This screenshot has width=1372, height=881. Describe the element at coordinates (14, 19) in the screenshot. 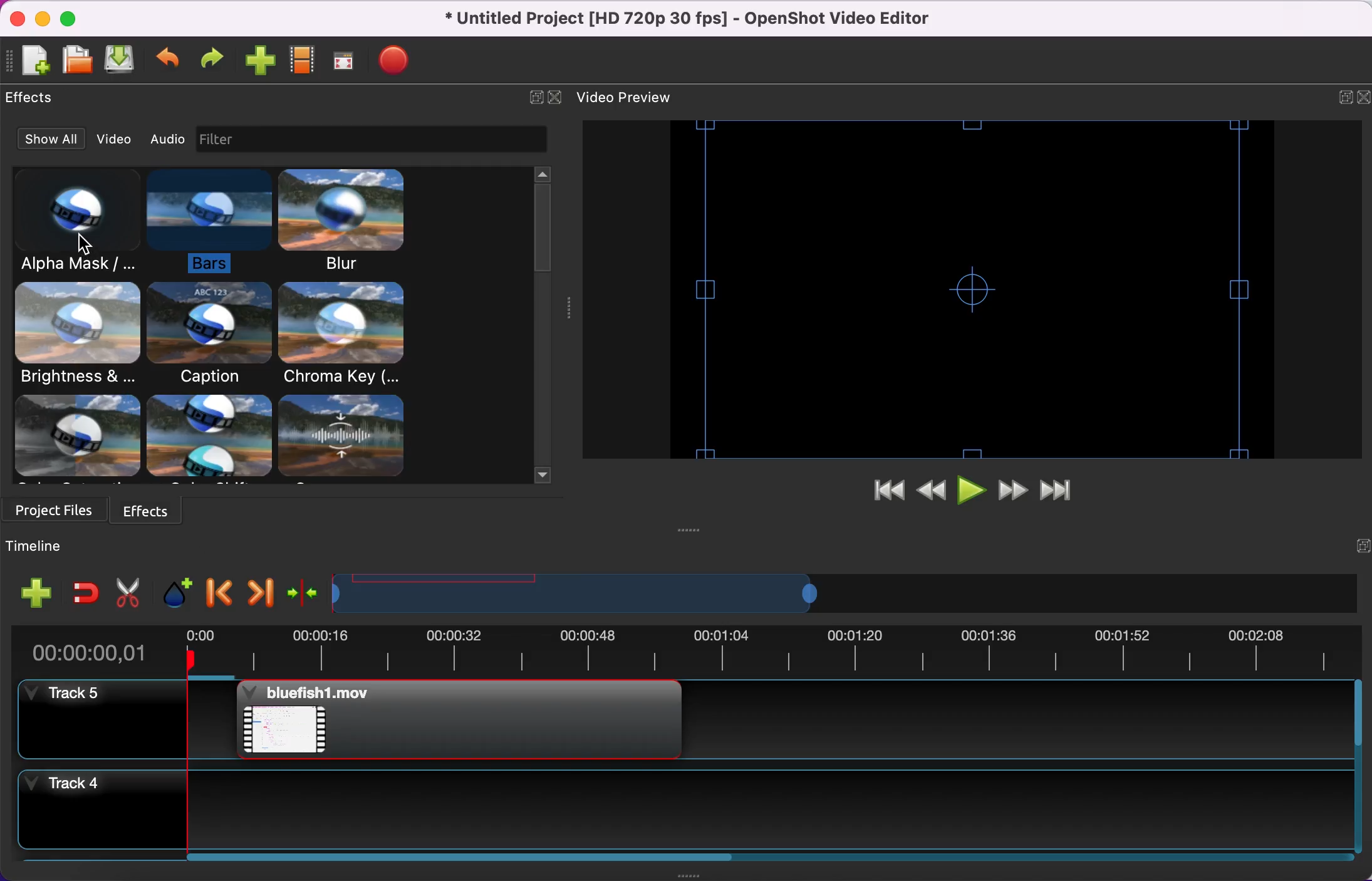

I see `close` at that location.